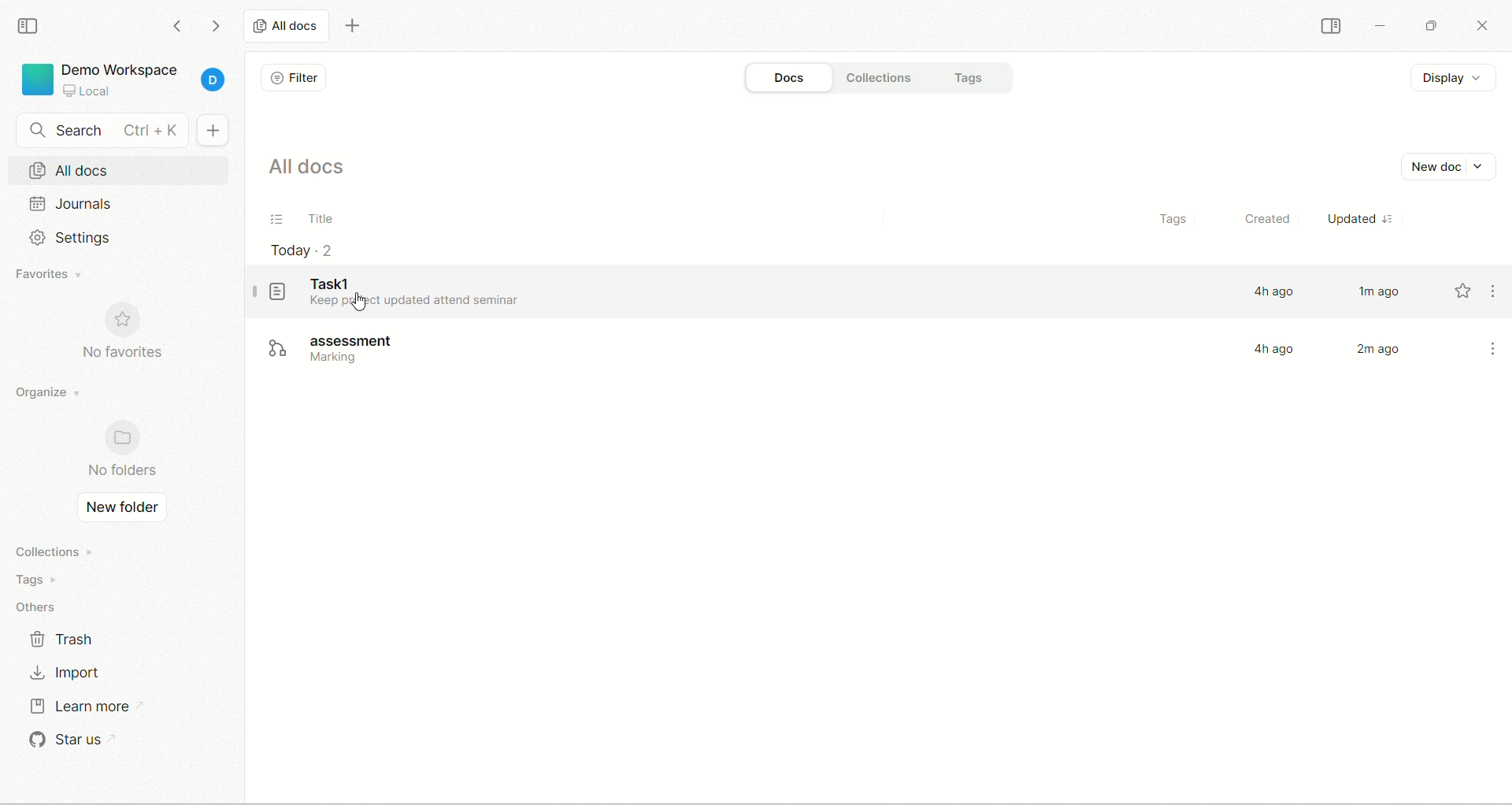 This screenshot has height=805, width=1512. Describe the element at coordinates (109, 236) in the screenshot. I see `settings` at that location.